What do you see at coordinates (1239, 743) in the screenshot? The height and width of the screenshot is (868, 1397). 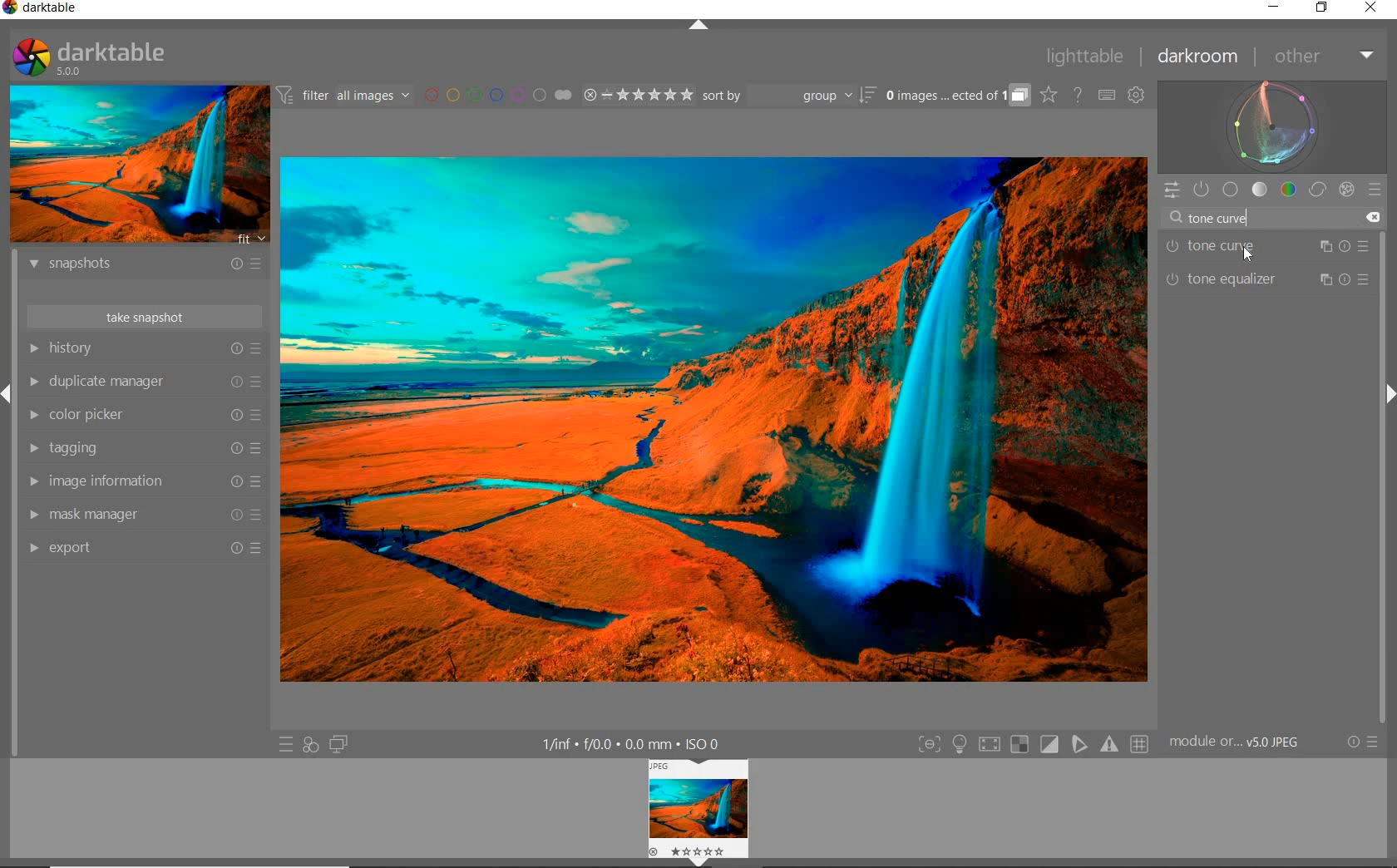 I see `MODULE...v5.0 JPEG` at bounding box center [1239, 743].